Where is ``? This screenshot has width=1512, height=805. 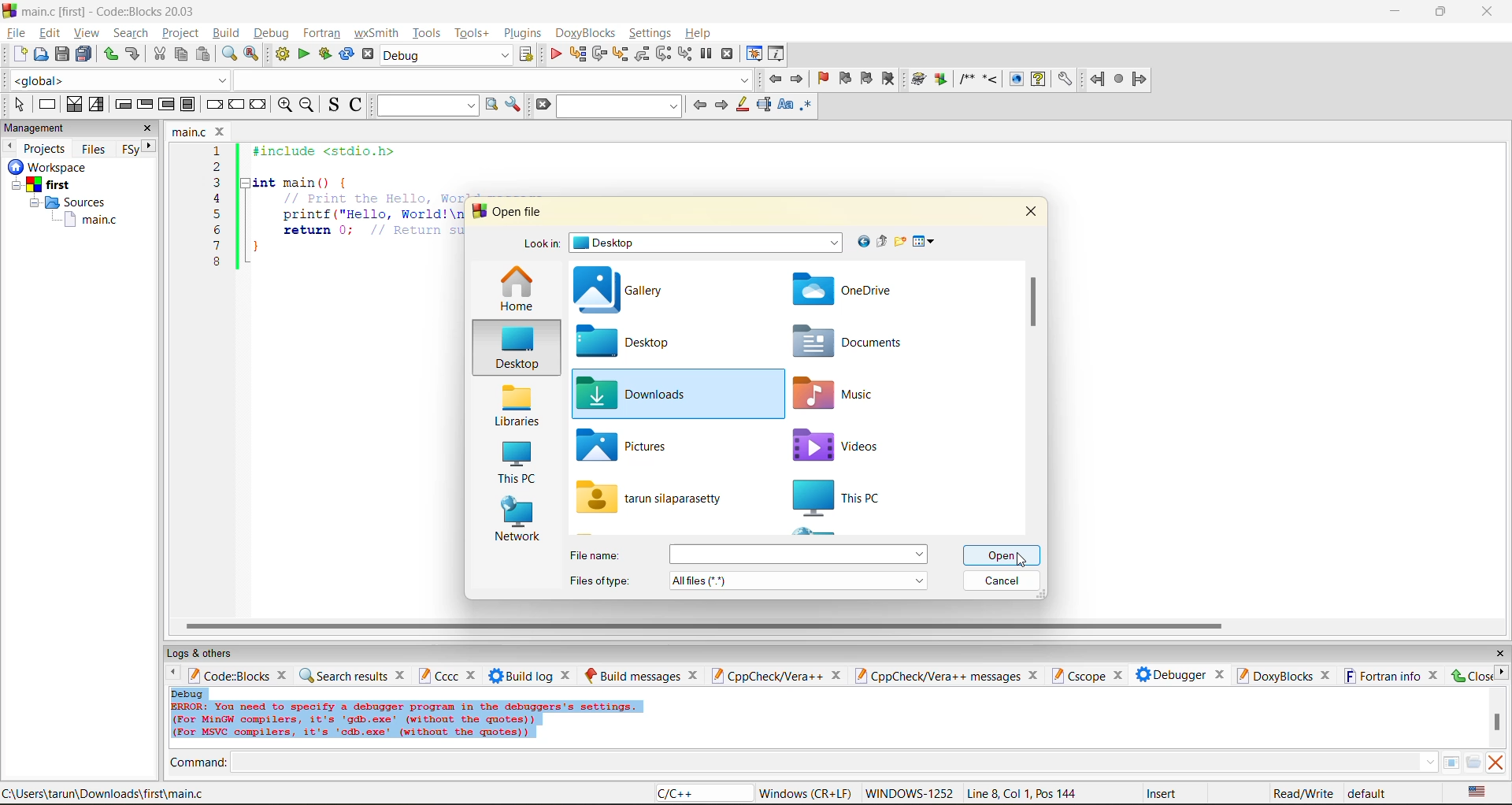
 is located at coordinates (44, 167).